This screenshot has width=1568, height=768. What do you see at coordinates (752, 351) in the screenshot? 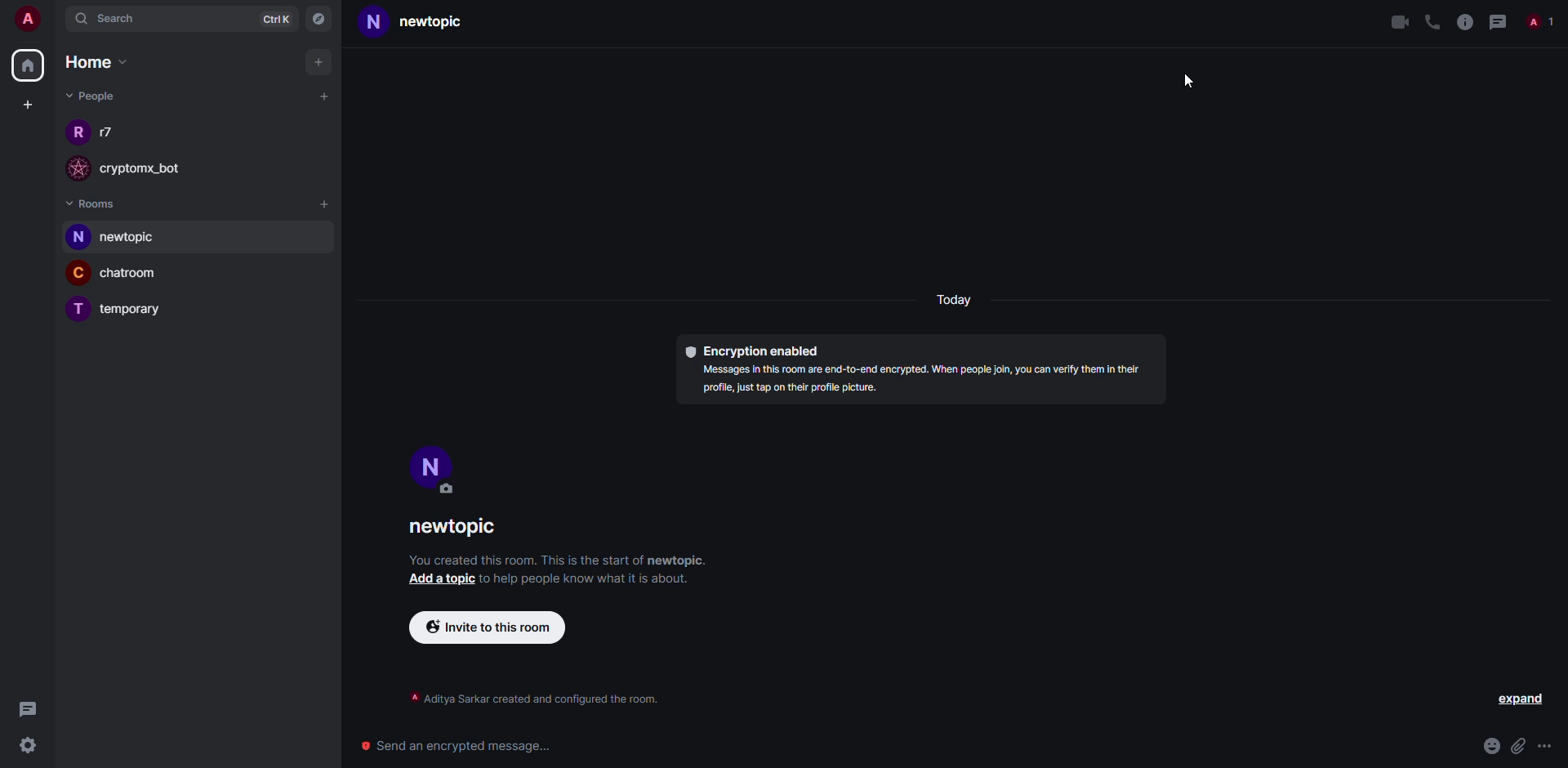
I see `encryption enabled` at bounding box center [752, 351].